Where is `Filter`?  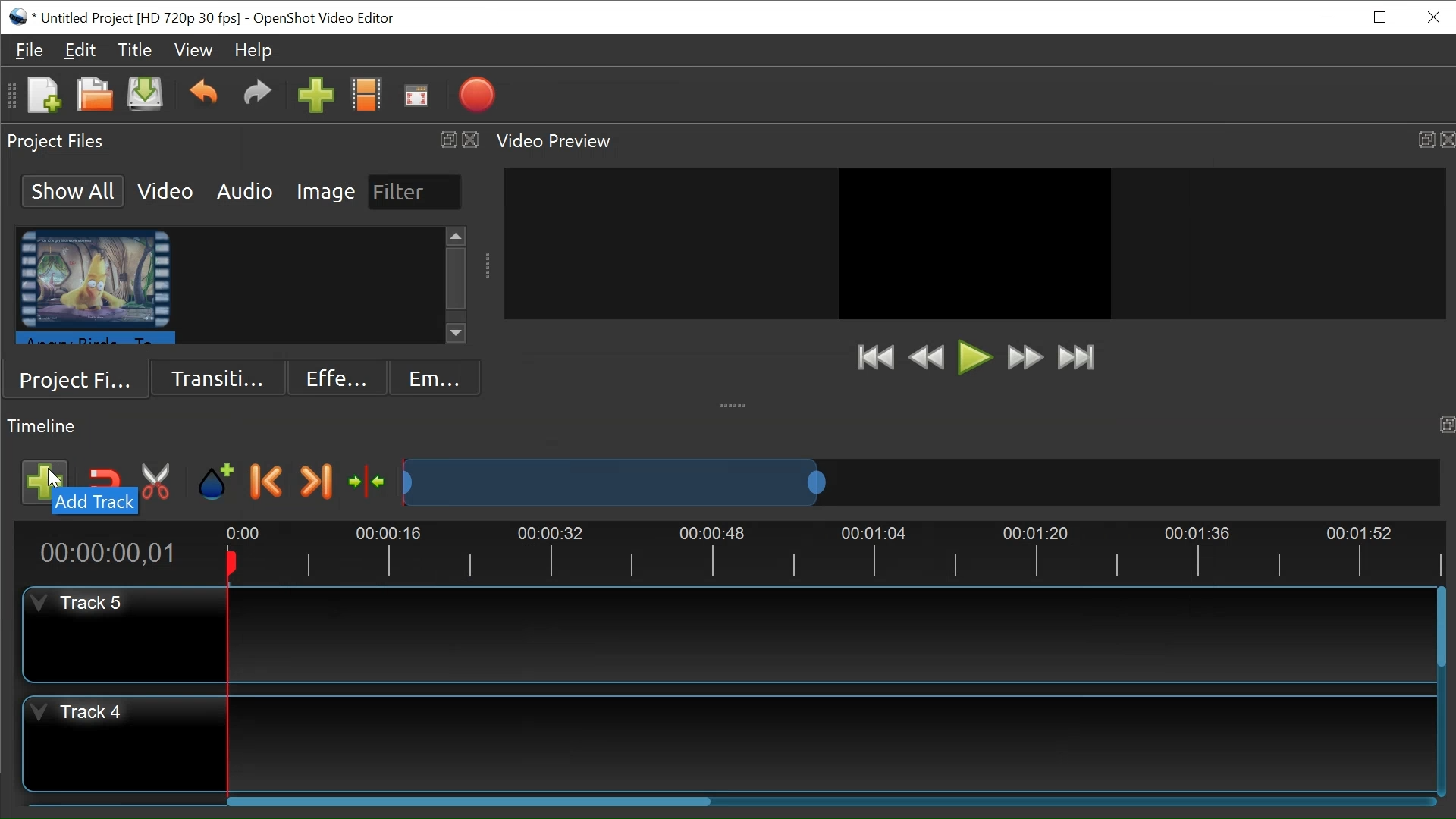 Filter is located at coordinates (416, 192).